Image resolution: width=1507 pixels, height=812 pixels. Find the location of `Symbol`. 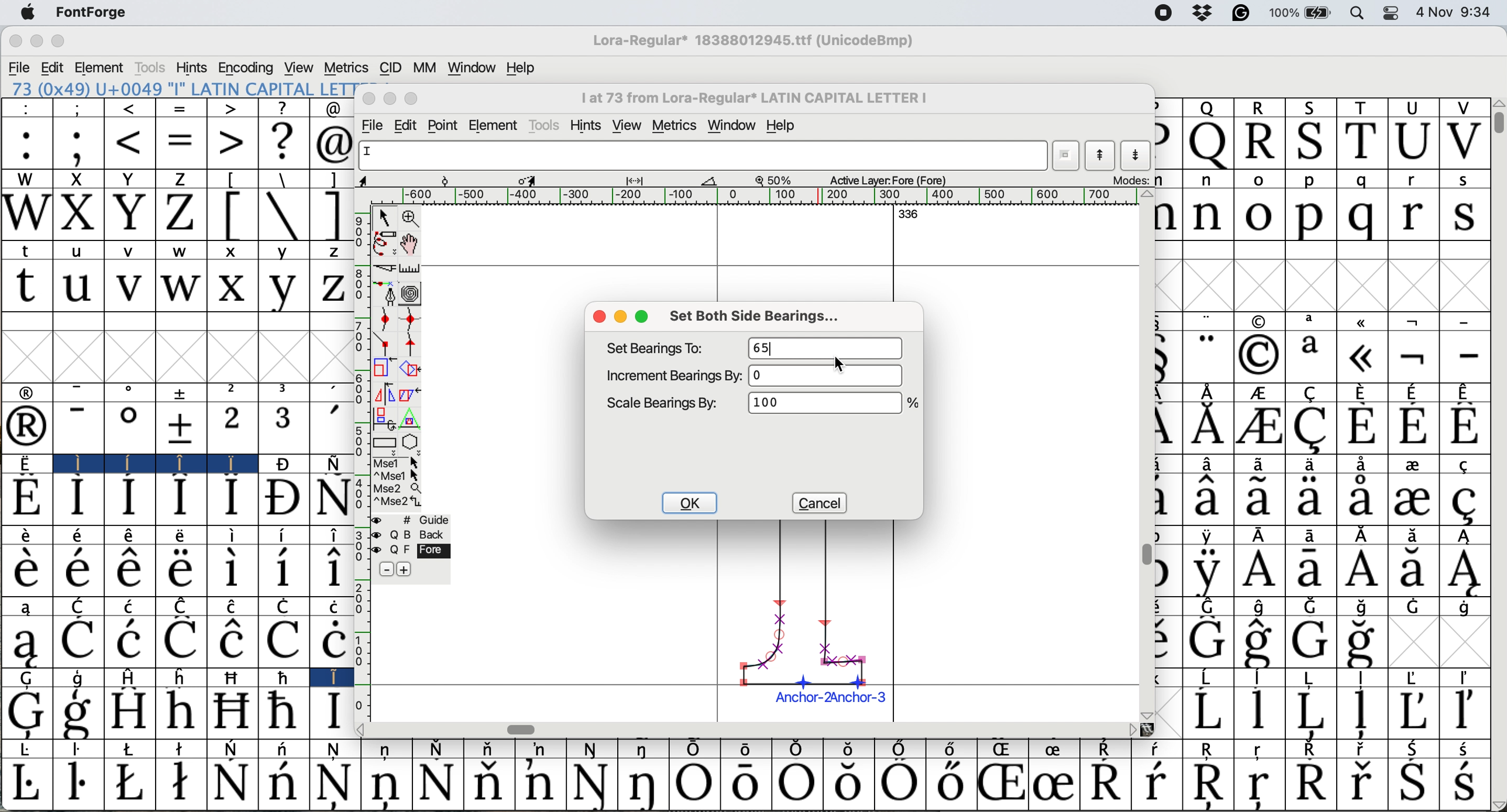

Symbol is located at coordinates (235, 605).